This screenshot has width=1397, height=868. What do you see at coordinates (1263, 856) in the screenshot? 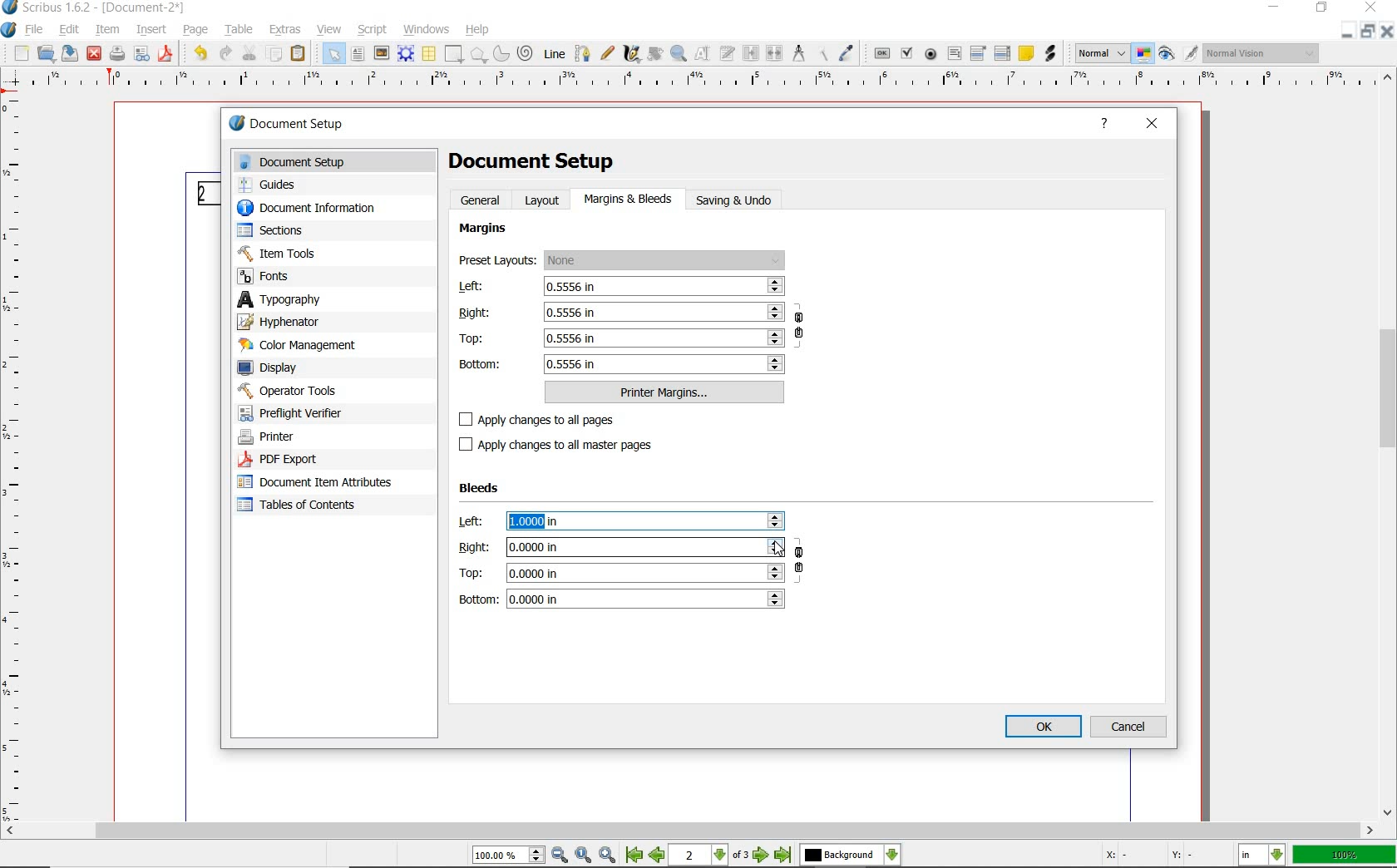
I see `select the current unit: in` at bounding box center [1263, 856].